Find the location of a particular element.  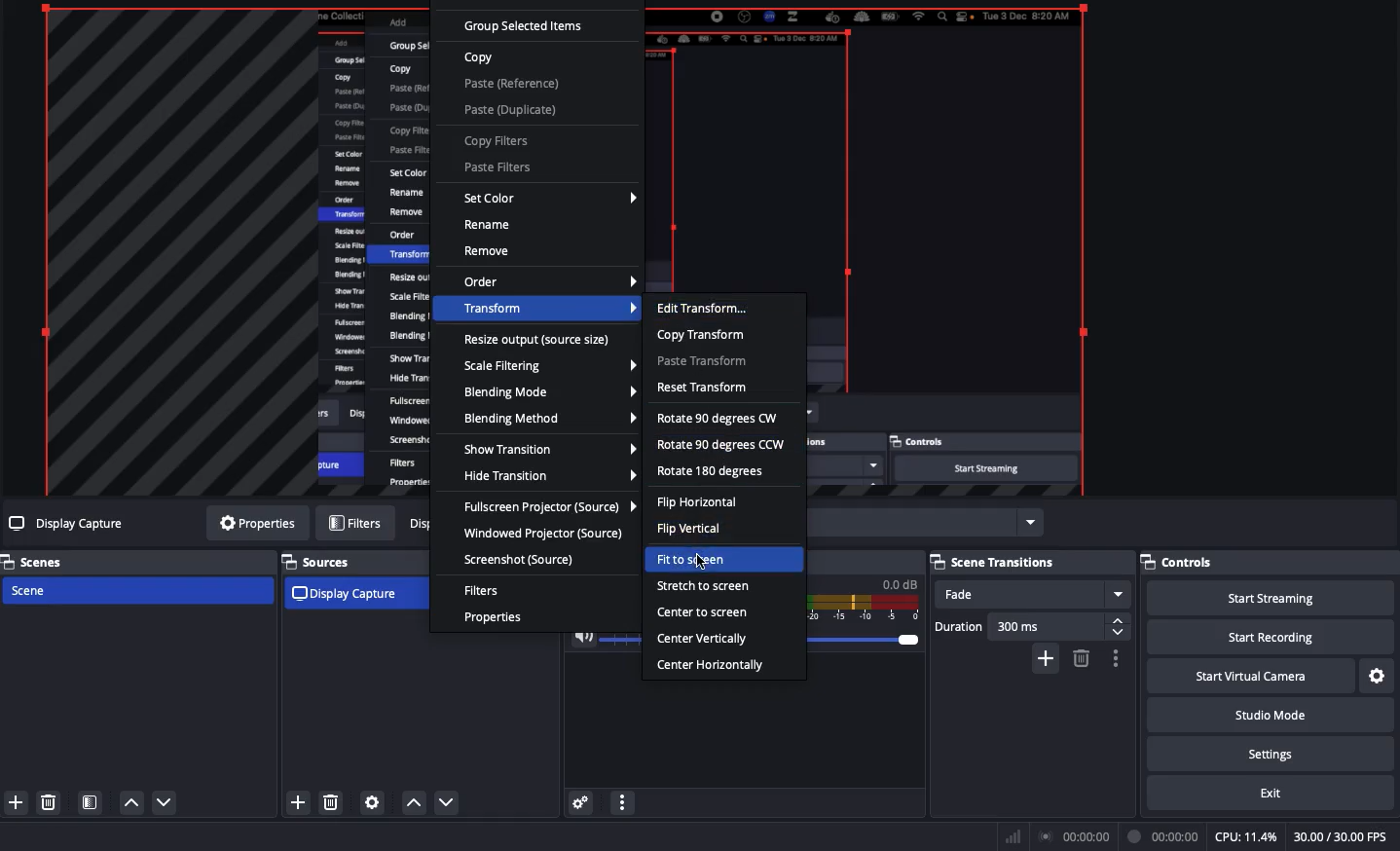

Copy transform  is located at coordinates (701, 336).